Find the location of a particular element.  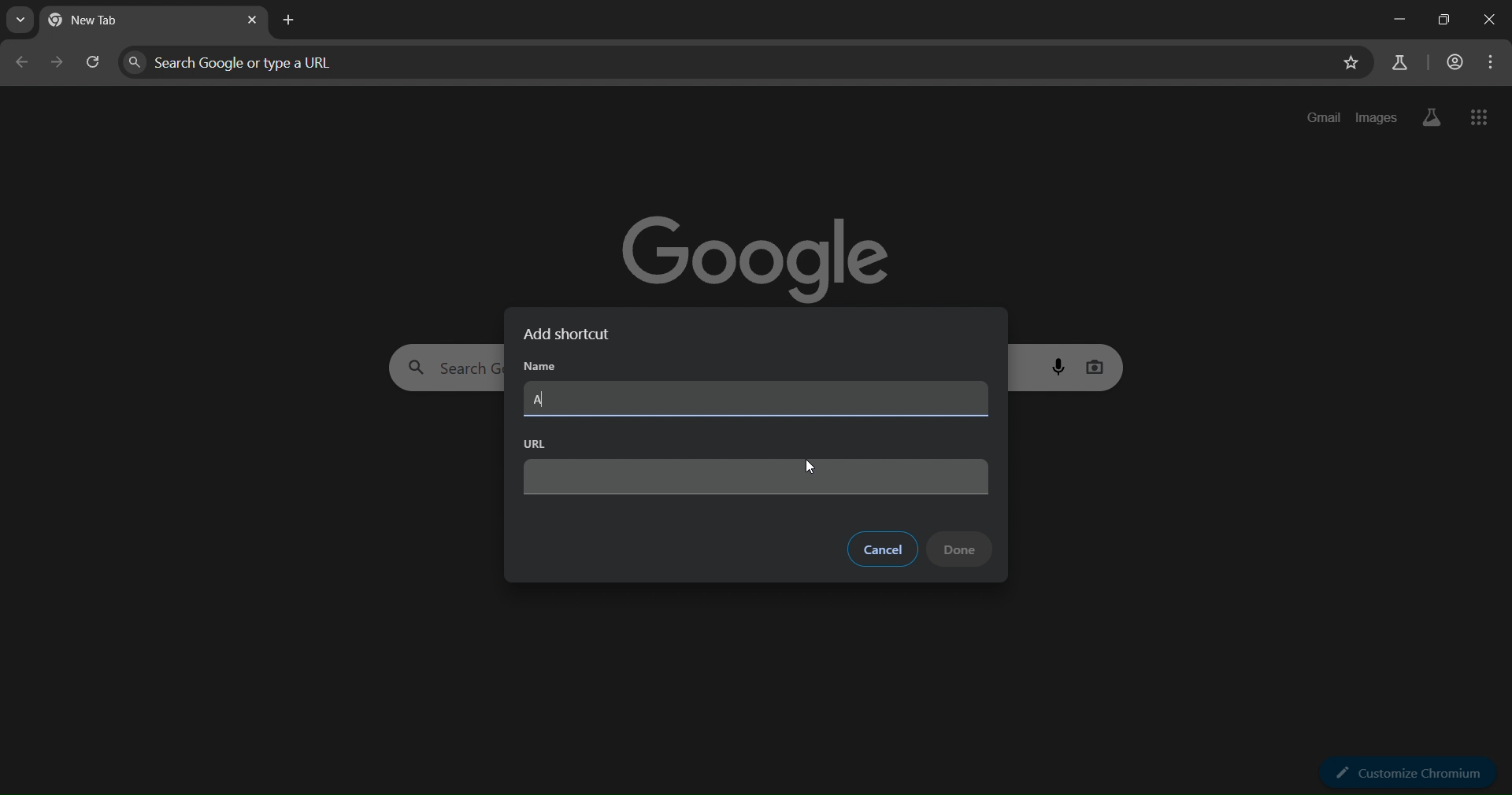

customize chromium is located at coordinates (1413, 771).